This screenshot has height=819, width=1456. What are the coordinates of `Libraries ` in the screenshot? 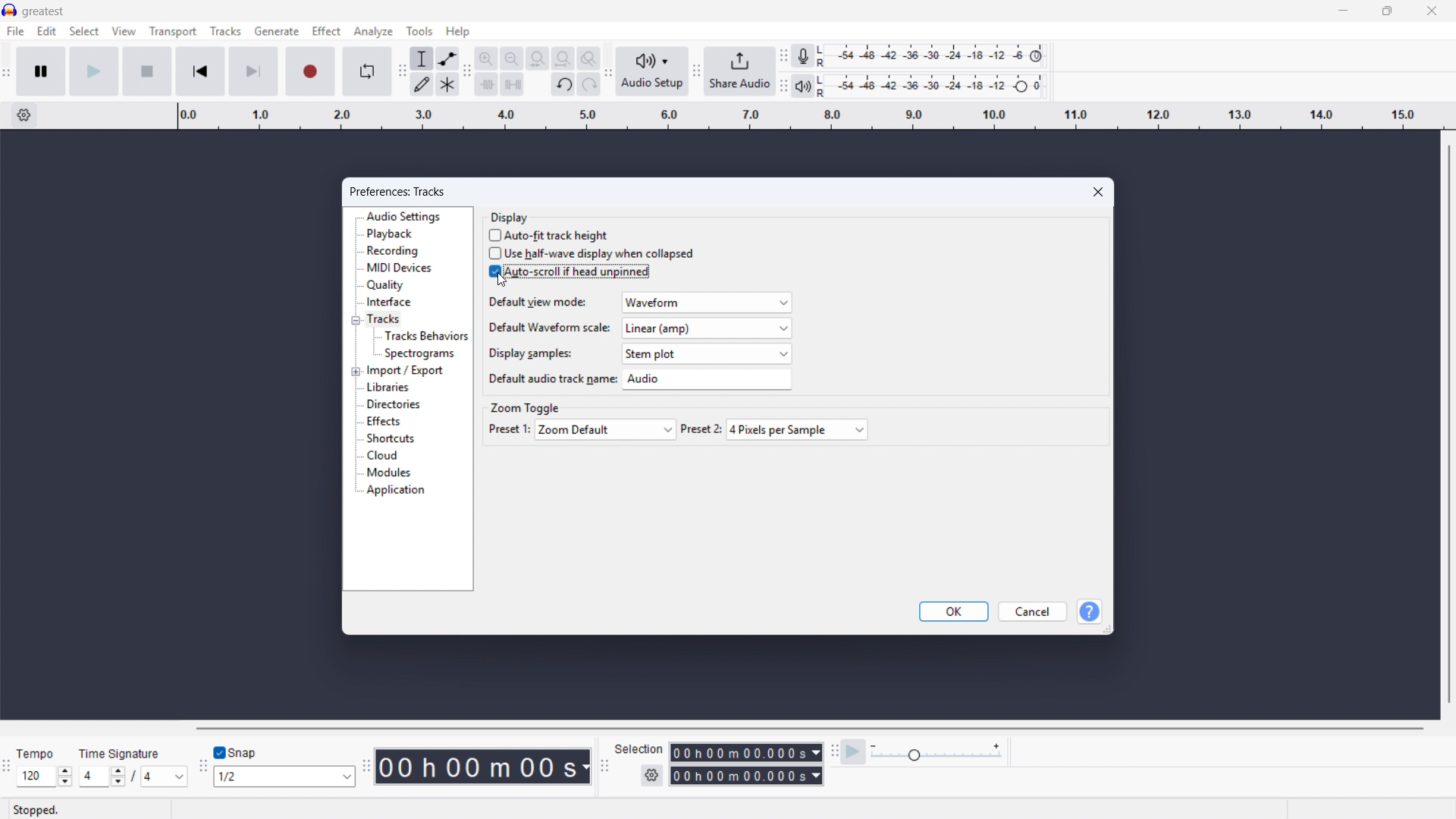 It's located at (388, 387).